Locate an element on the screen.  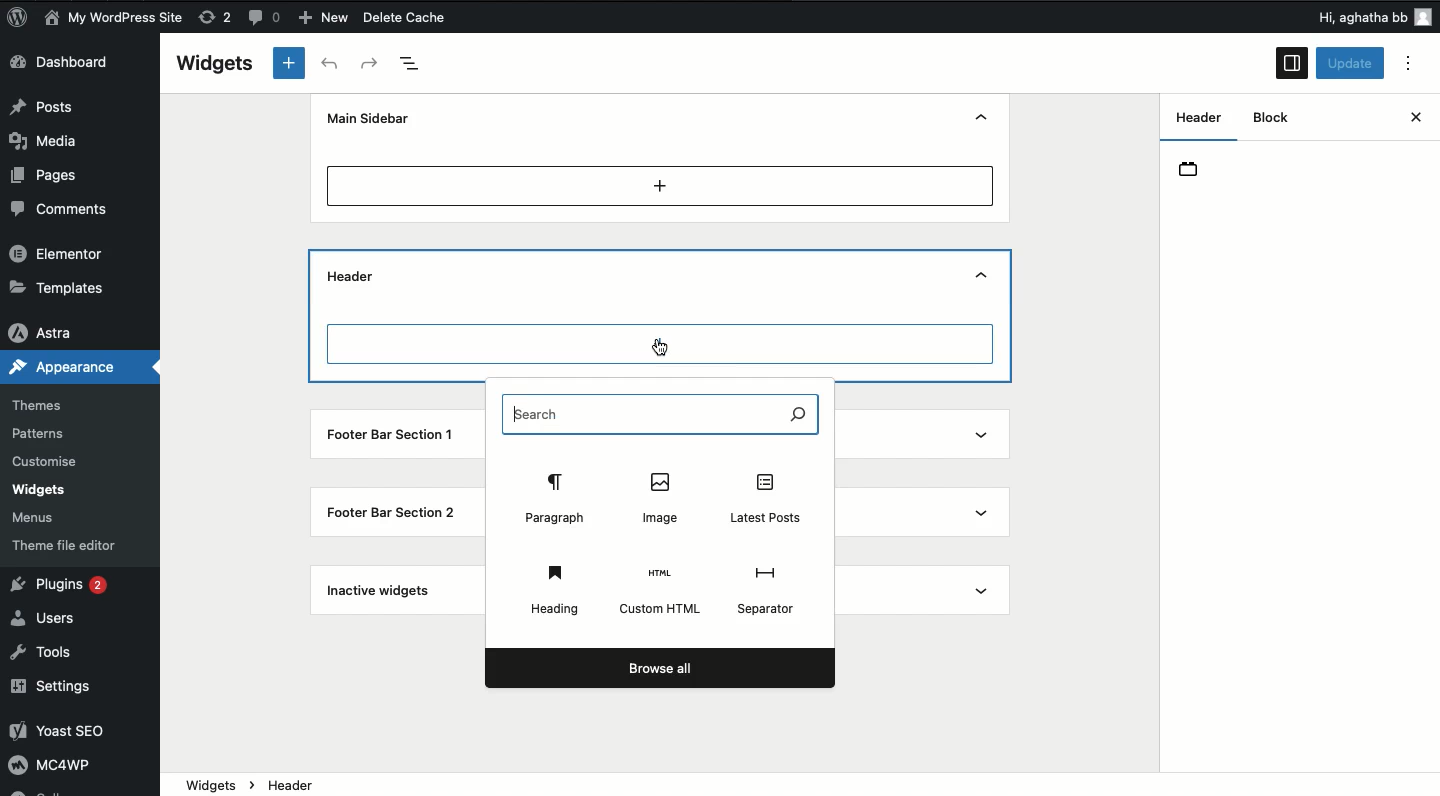
Templates is located at coordinates (58, 287).